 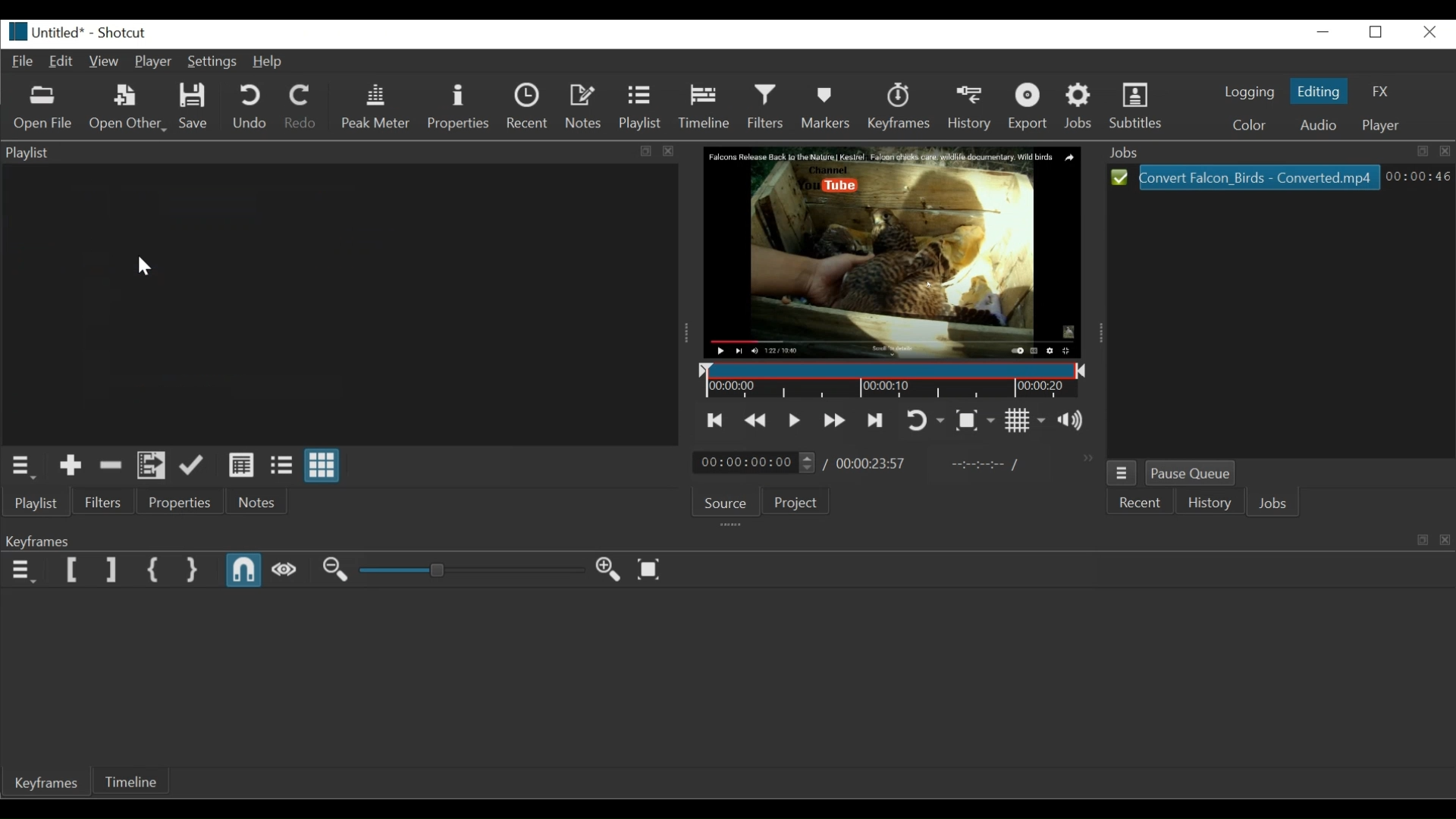 I want to click on Recent, so click(x=527, y=105).